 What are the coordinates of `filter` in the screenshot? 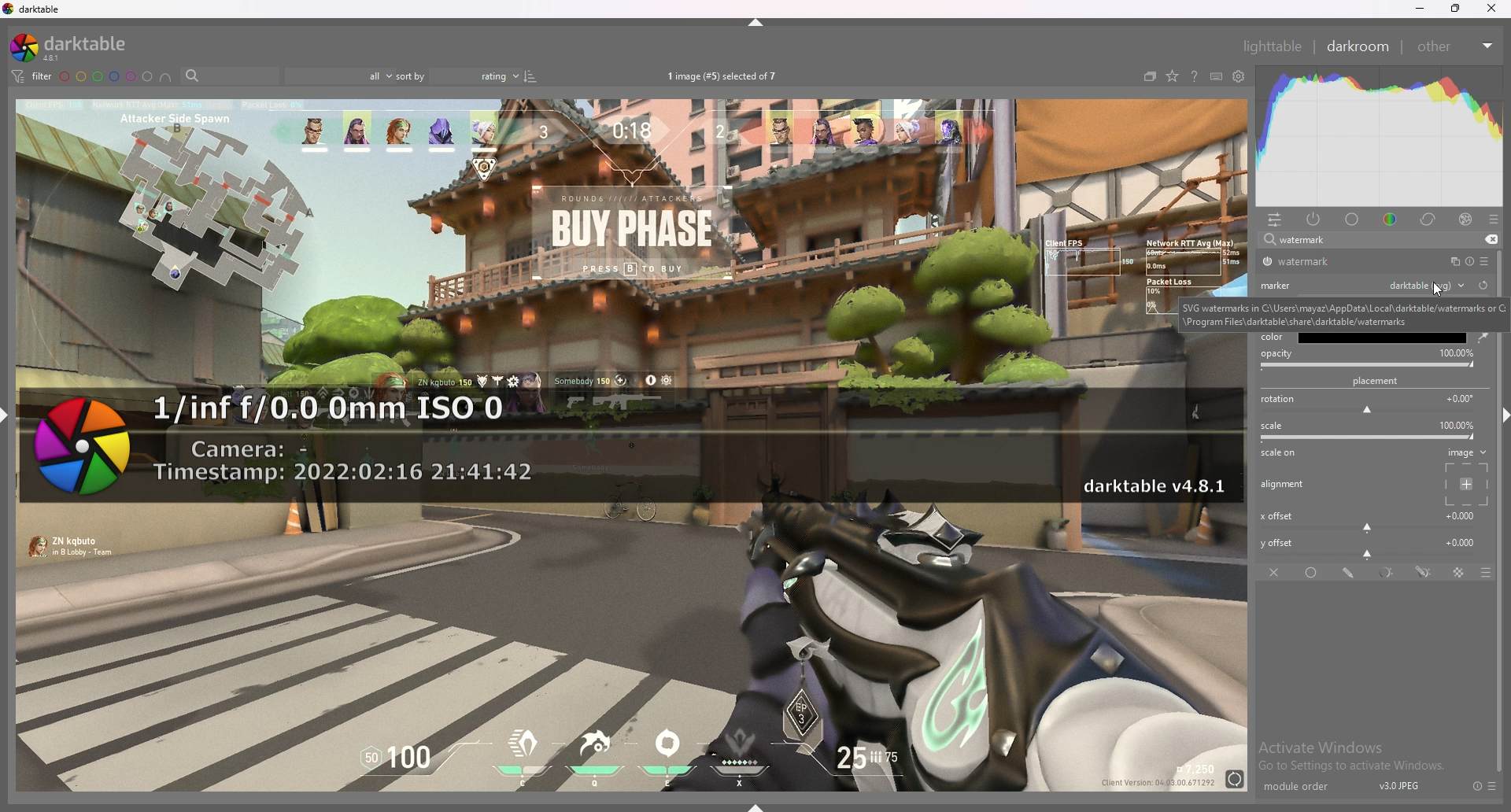 It's located at (30, 76).